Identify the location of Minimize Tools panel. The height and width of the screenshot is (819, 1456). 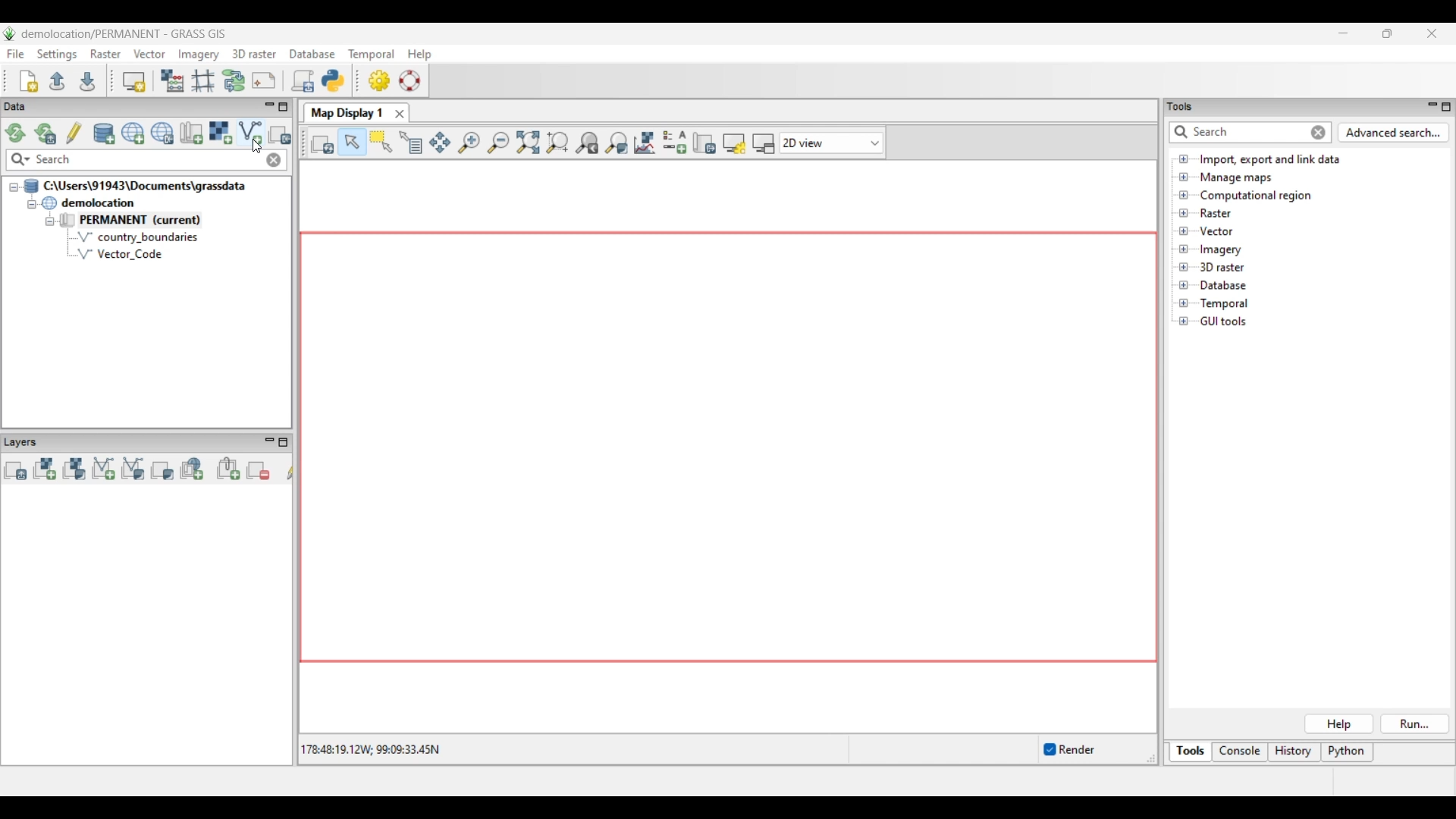
(1430, 106).